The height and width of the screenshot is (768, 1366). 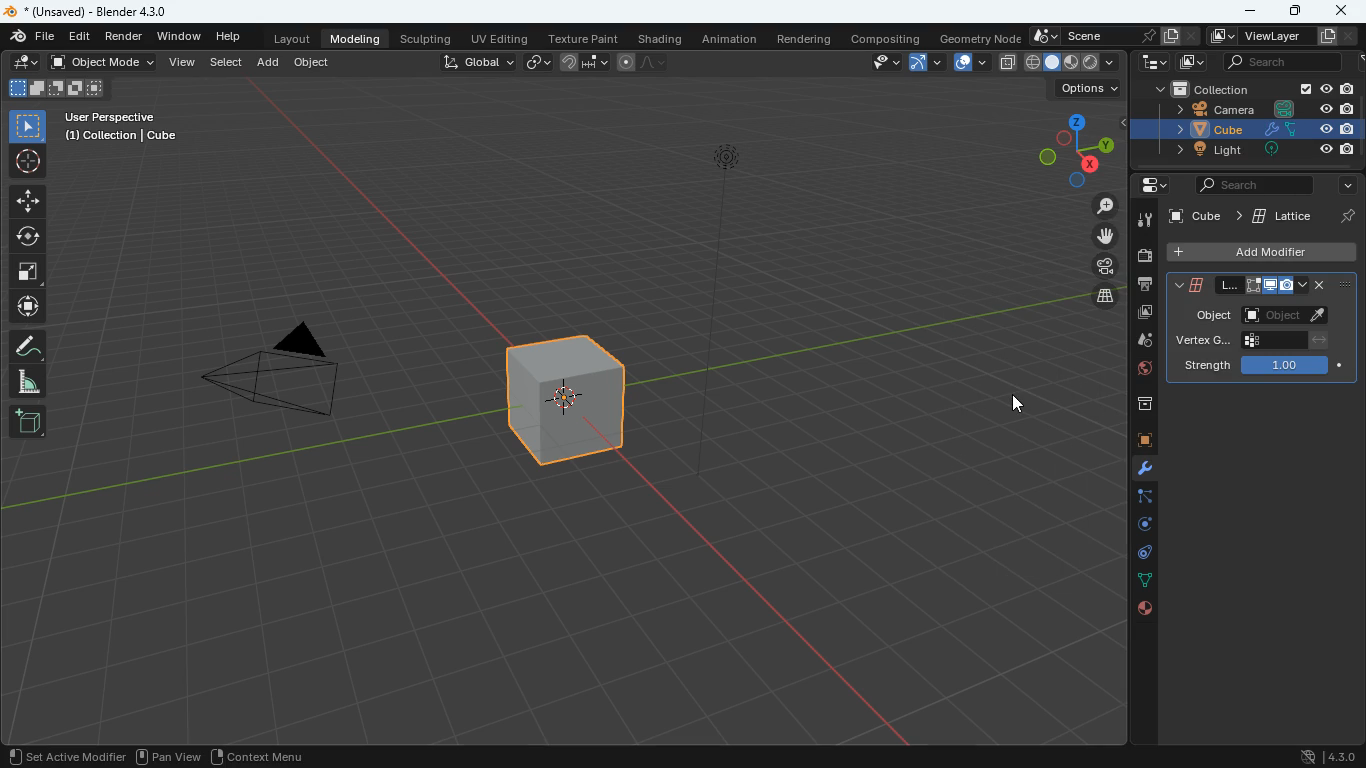 I want to click on drop, so click(x=1141, y=341).